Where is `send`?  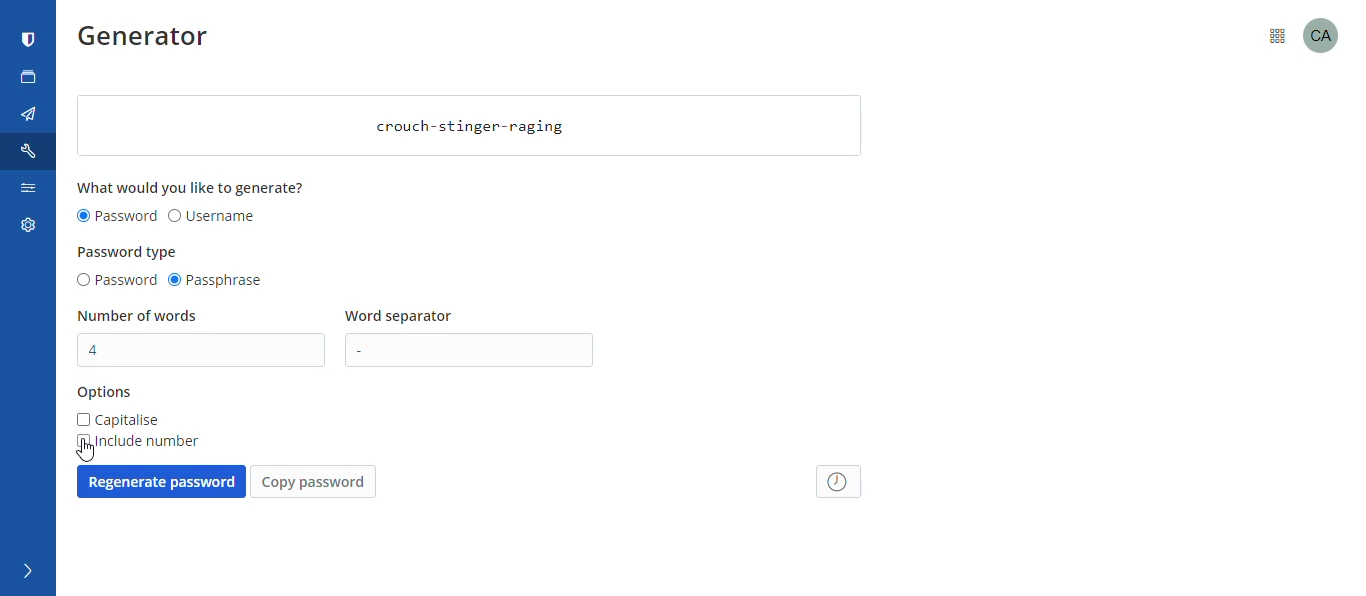 send is located at coordinates (29, 115).